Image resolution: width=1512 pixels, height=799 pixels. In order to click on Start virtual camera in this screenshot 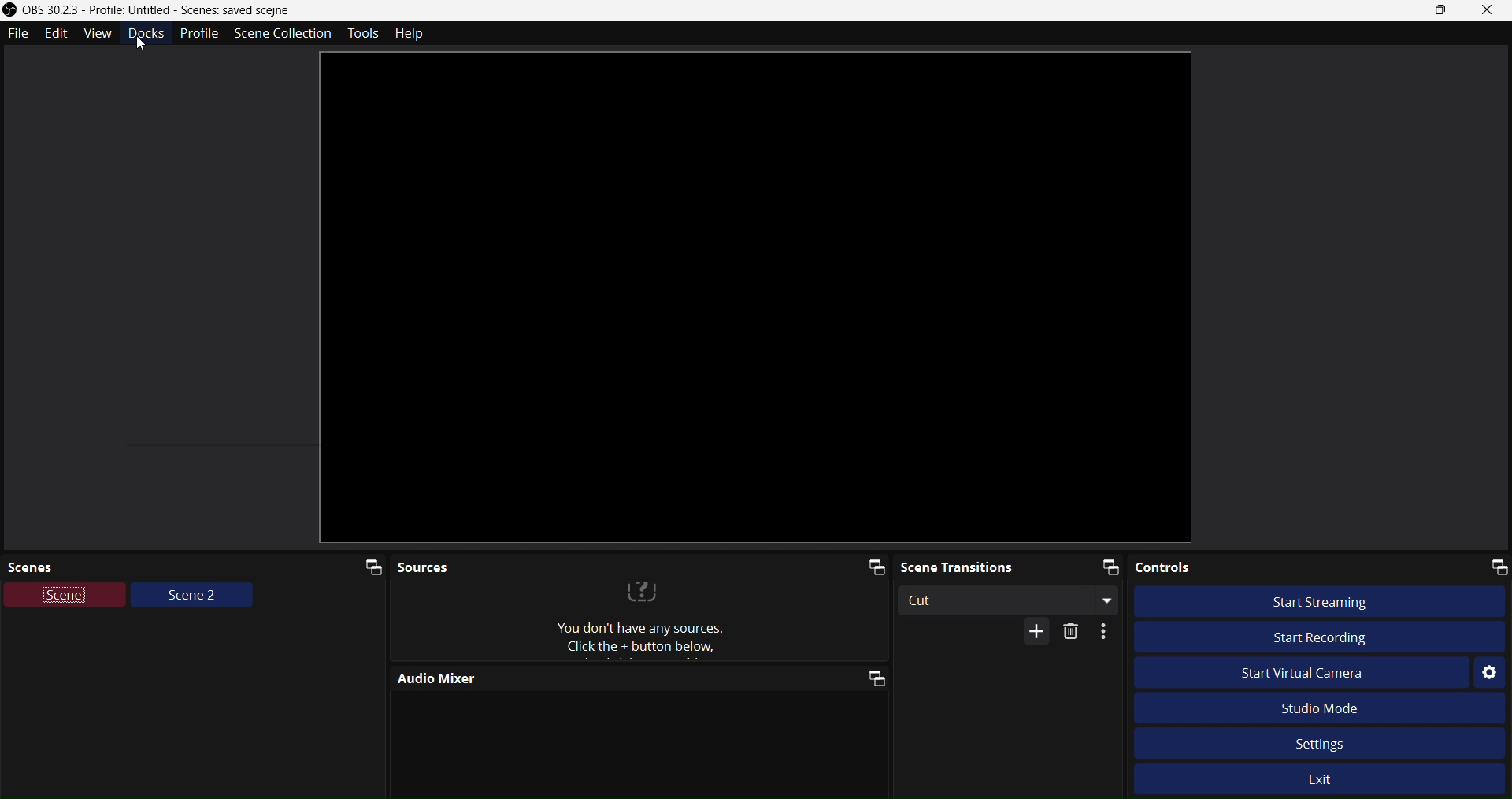, I will do `click(1316, 674)`.